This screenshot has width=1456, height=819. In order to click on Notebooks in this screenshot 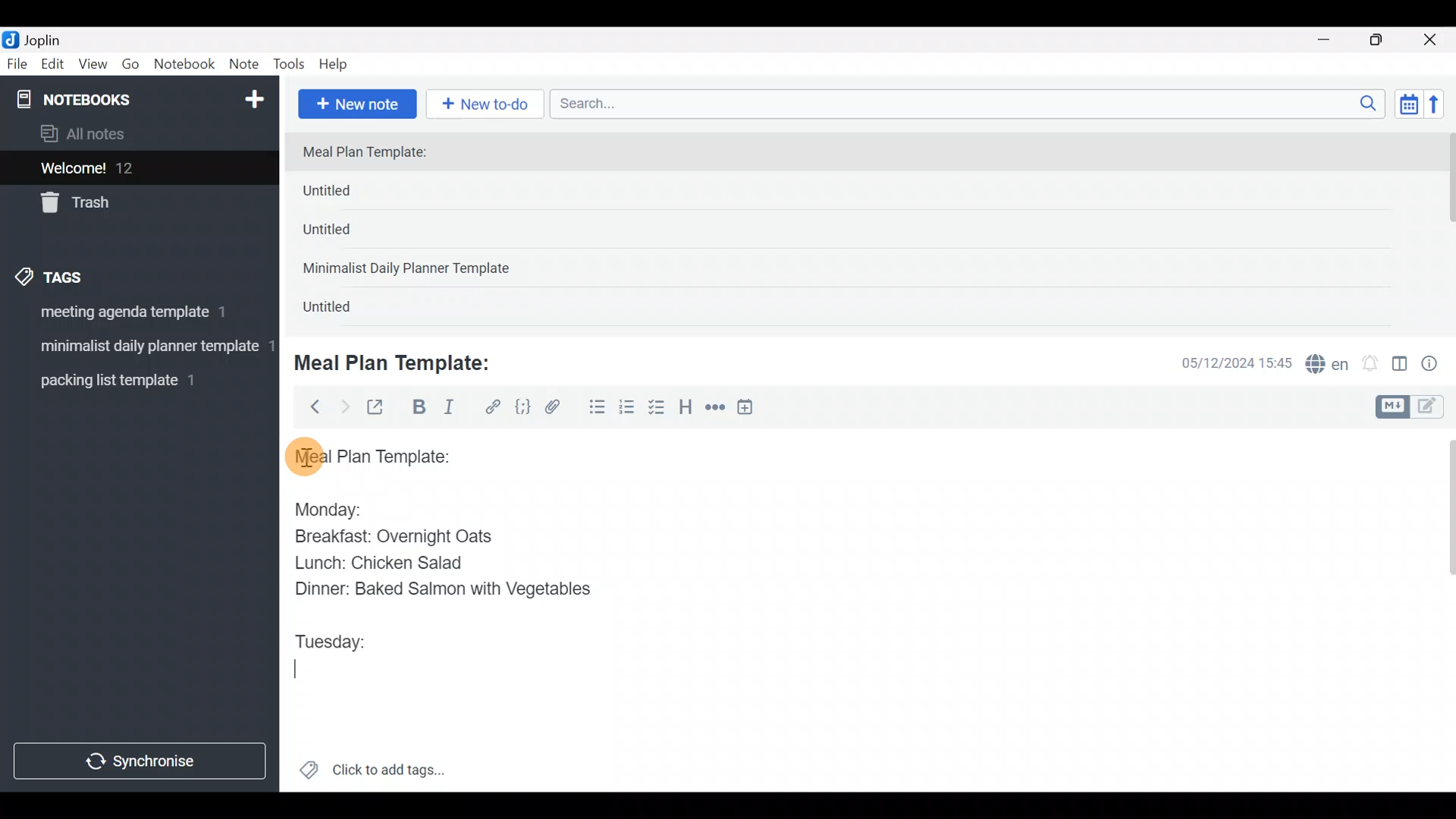, I will do `click(107, 99)`.